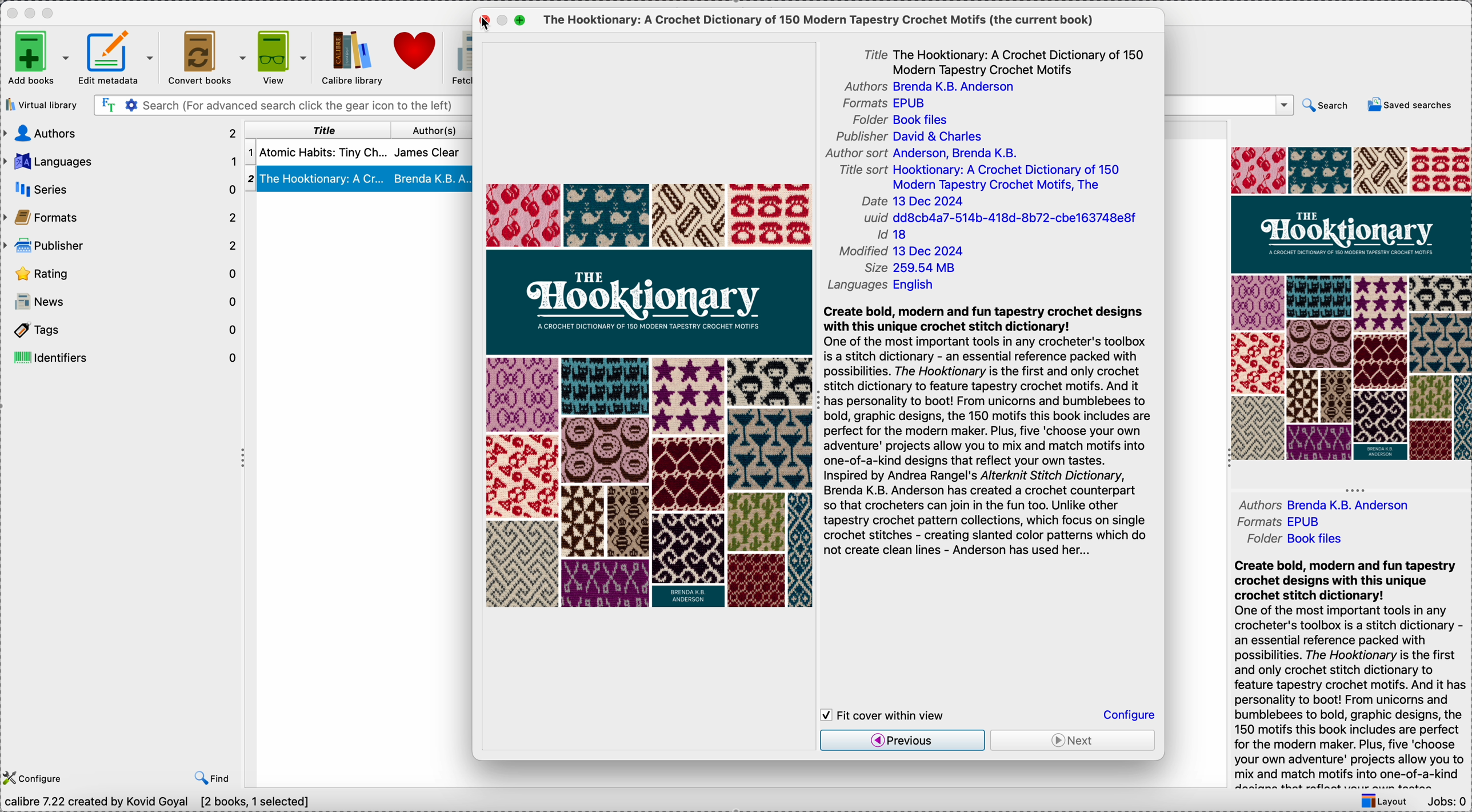 Image resolution: width=1472 pixels, height=812 pixels. I want to click on author(s), so click(433, 130).